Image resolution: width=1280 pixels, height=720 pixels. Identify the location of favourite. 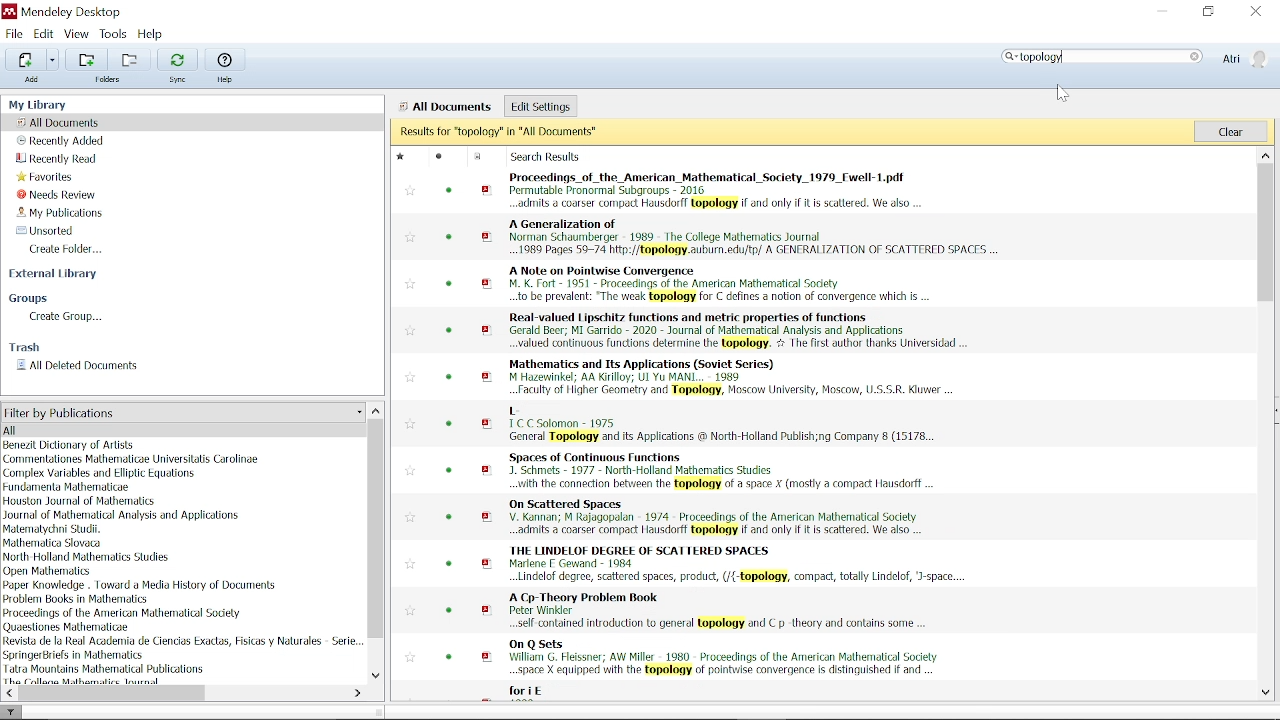
(409, 470).